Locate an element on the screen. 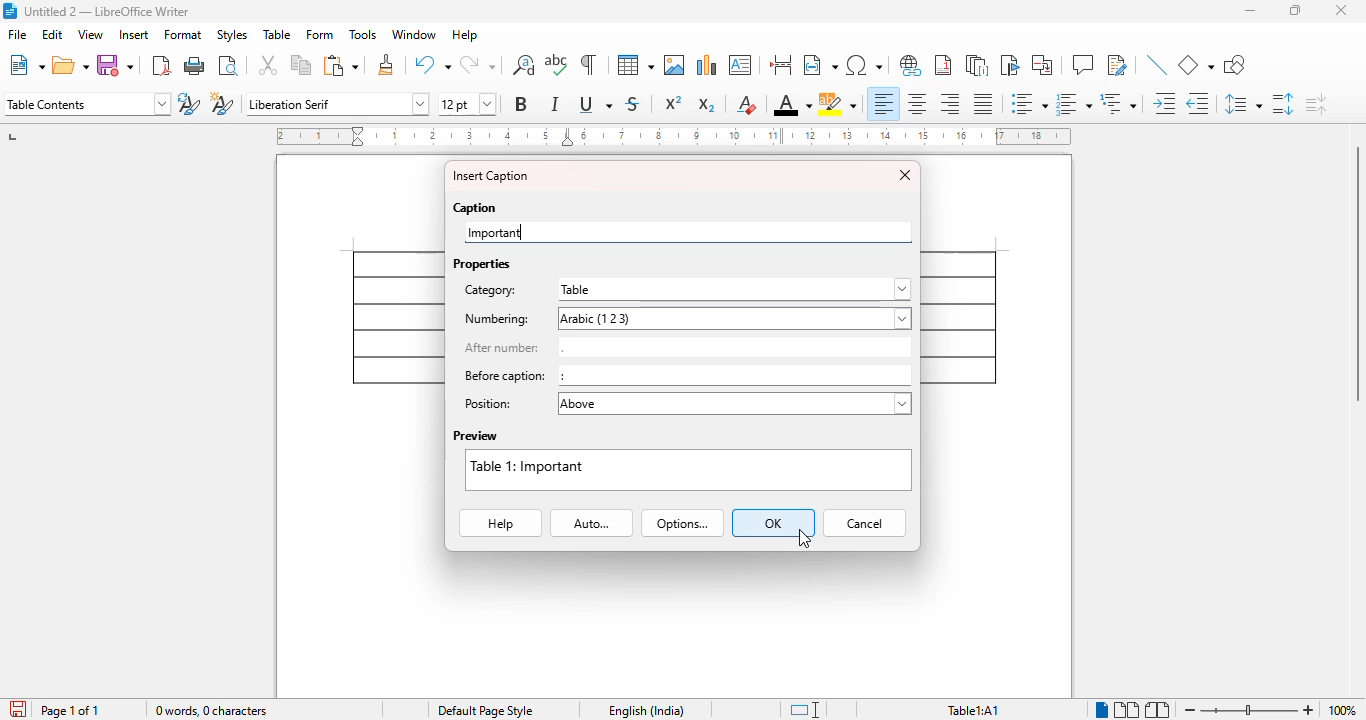  insert is located at coordinates (135, 35).